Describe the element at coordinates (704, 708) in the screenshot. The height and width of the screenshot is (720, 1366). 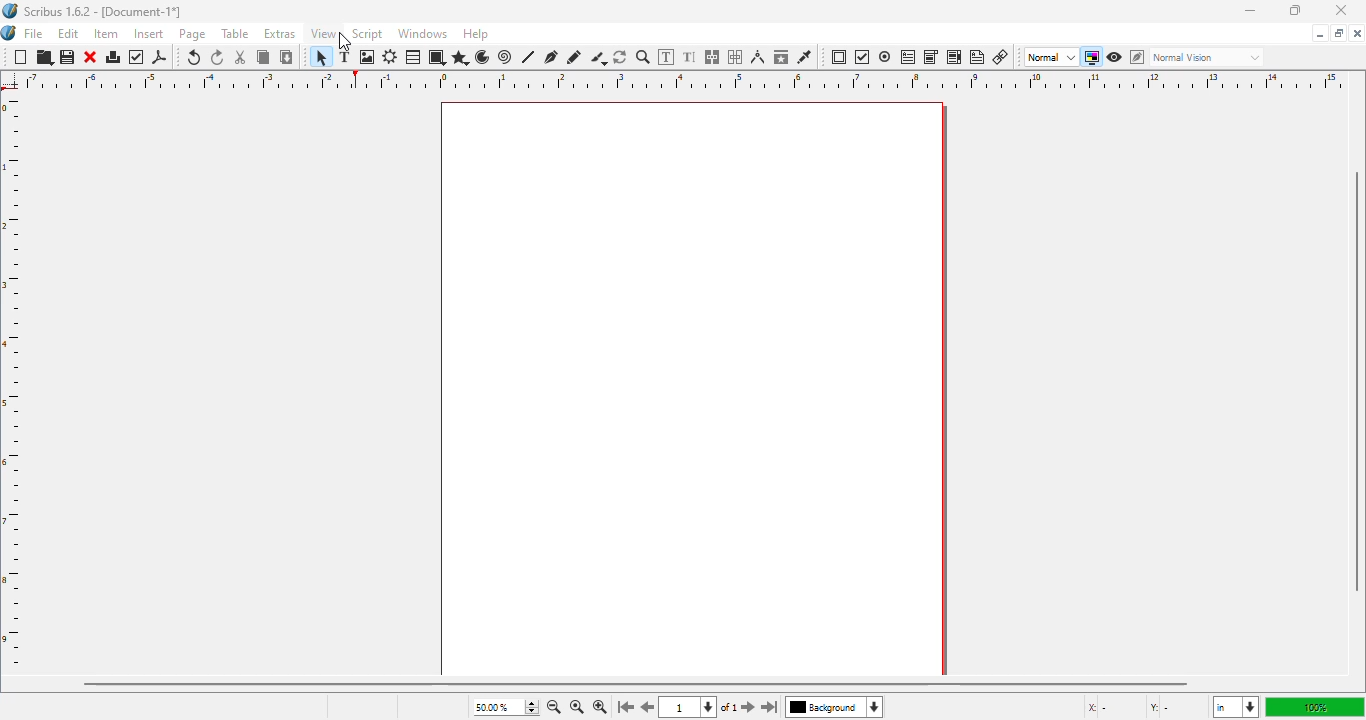
I see `1 of 1` at that location.